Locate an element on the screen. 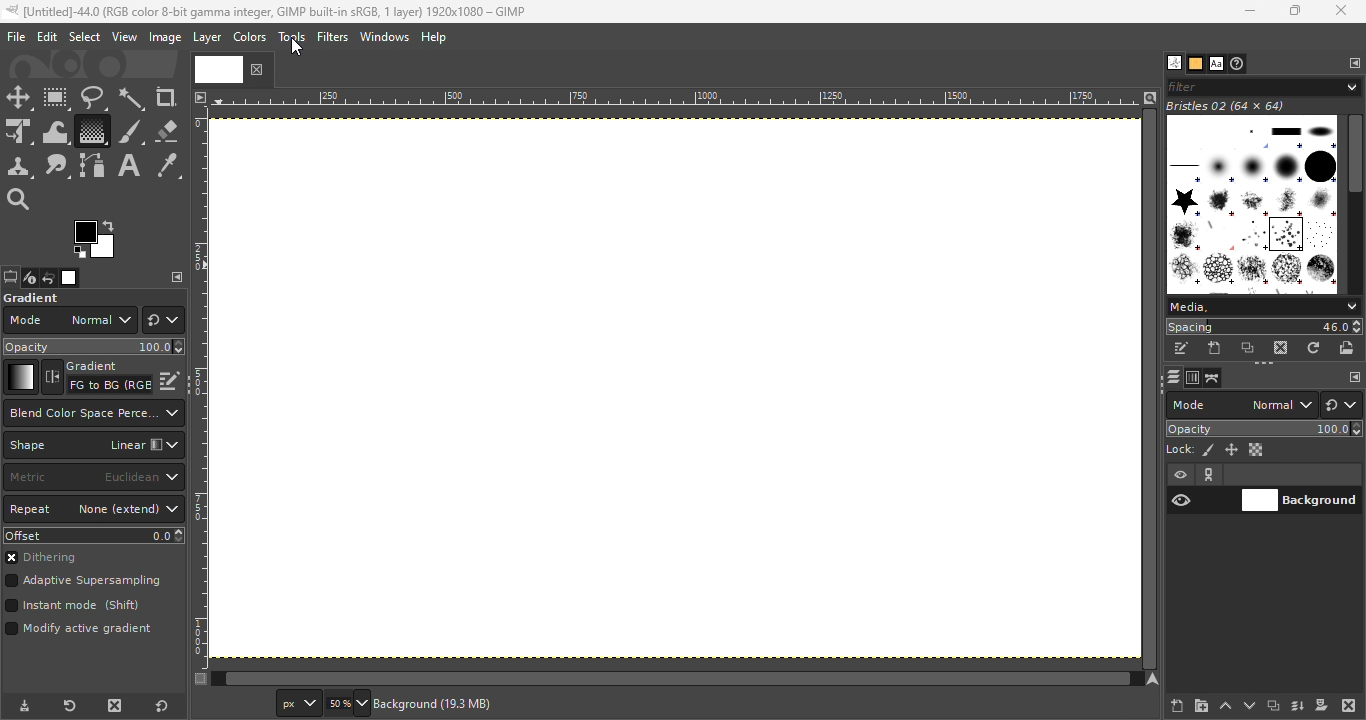 This screenshot has width=1366, height=720. Unified transform tool is located at coordinates (18, 133).